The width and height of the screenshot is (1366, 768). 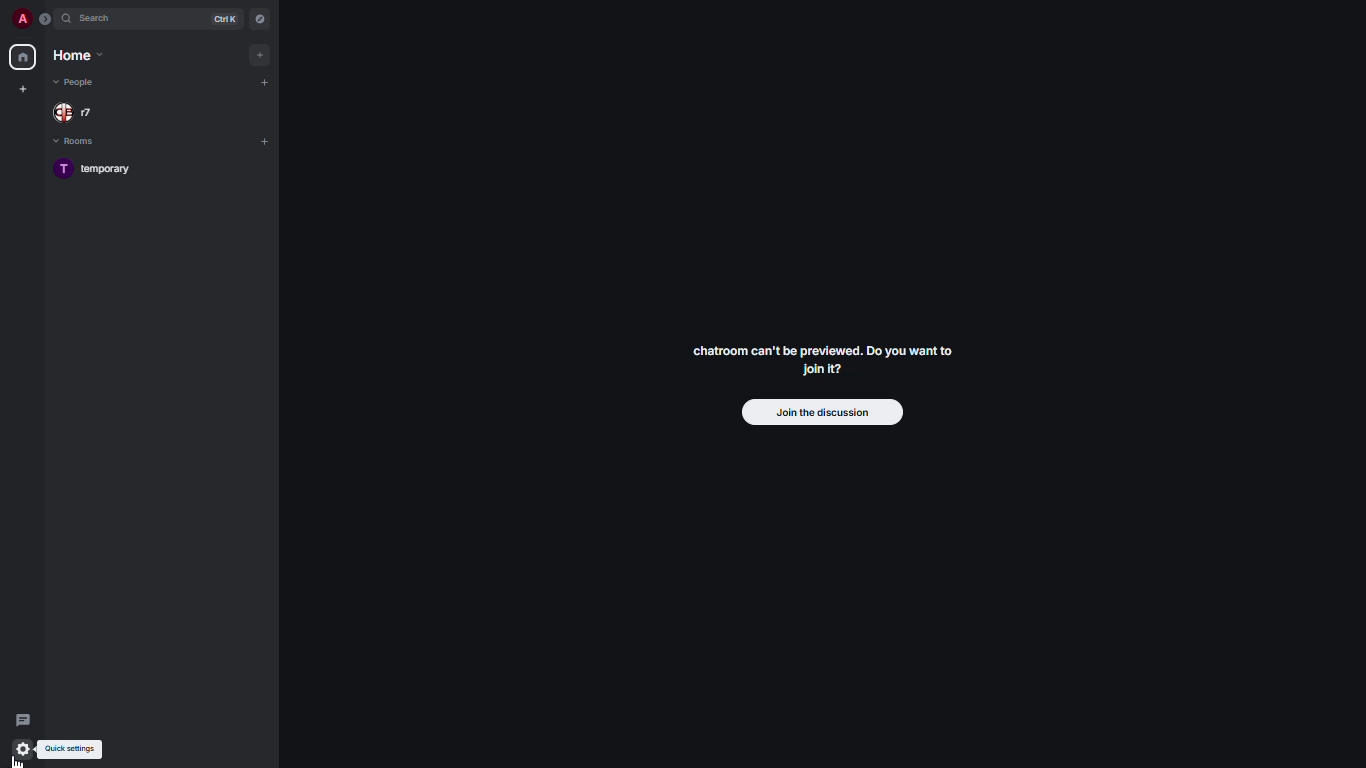 What do you see at coordinates (83, 140) in the screenshot?
I see `rooms` at bounding box center [83, 140].